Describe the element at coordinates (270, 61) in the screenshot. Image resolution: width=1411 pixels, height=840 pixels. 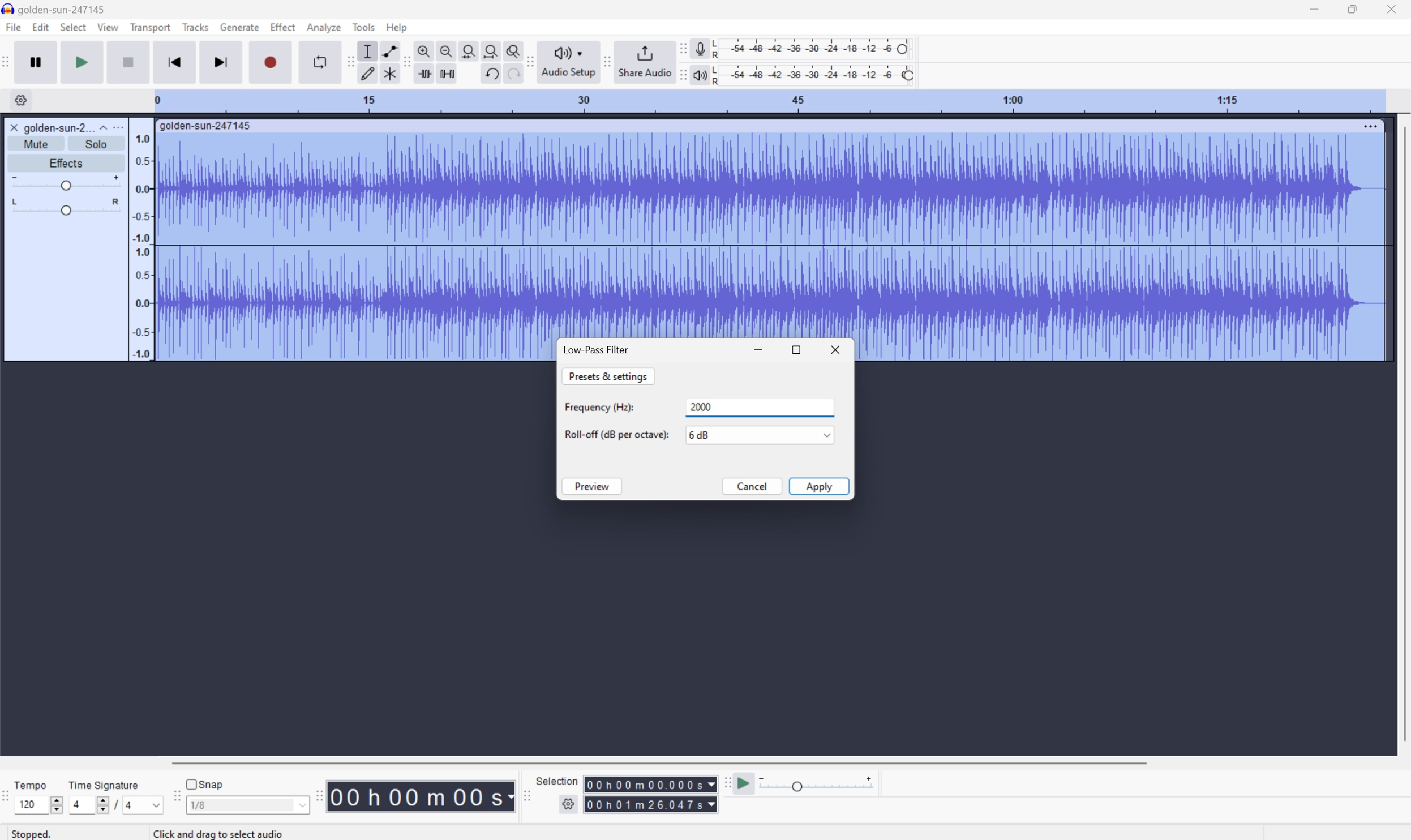
I see `Record / Record new track` at that location.